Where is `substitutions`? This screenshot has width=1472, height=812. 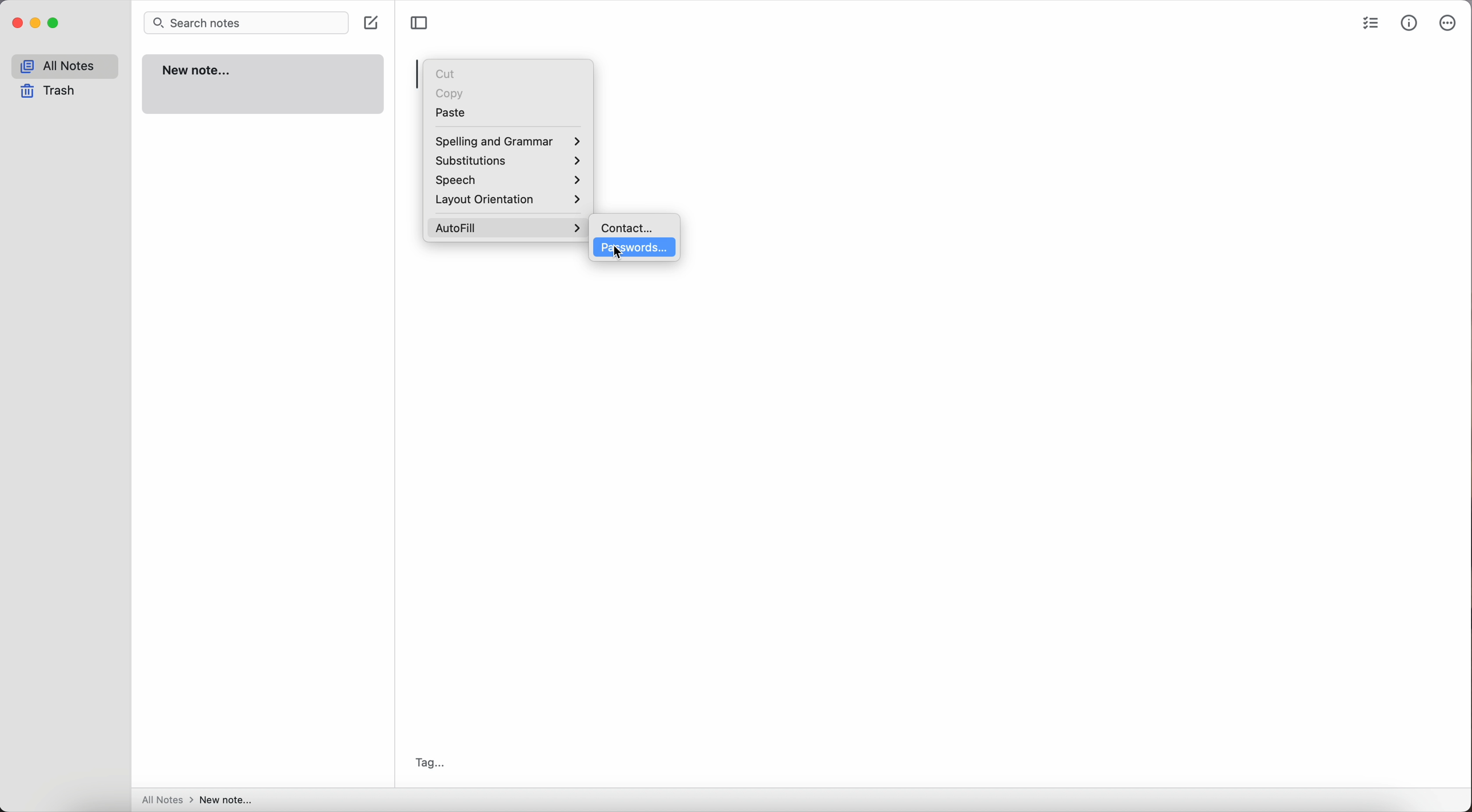
substitutions is located at coordinates (509, 163).